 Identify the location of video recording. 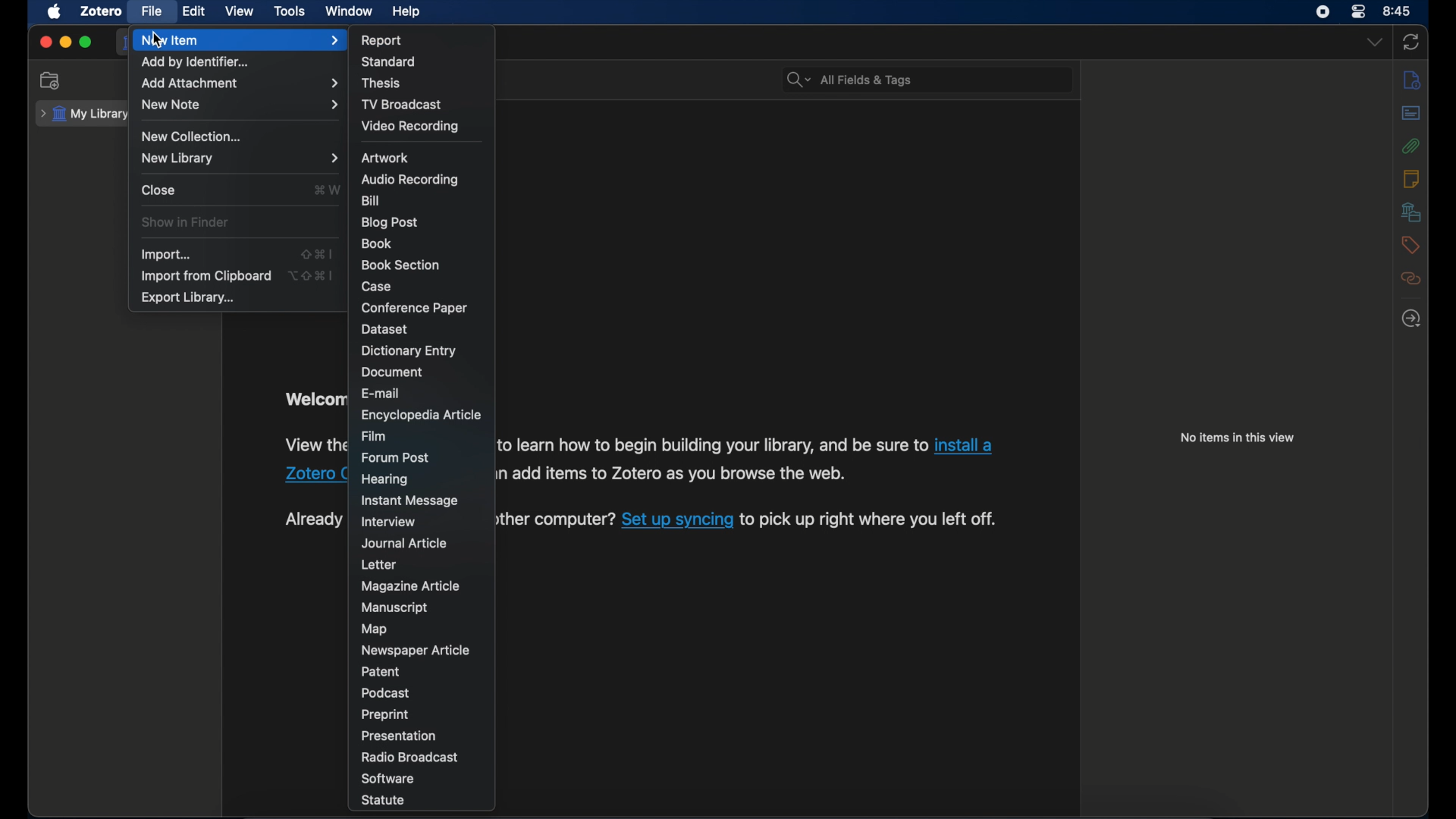
(409, 126).